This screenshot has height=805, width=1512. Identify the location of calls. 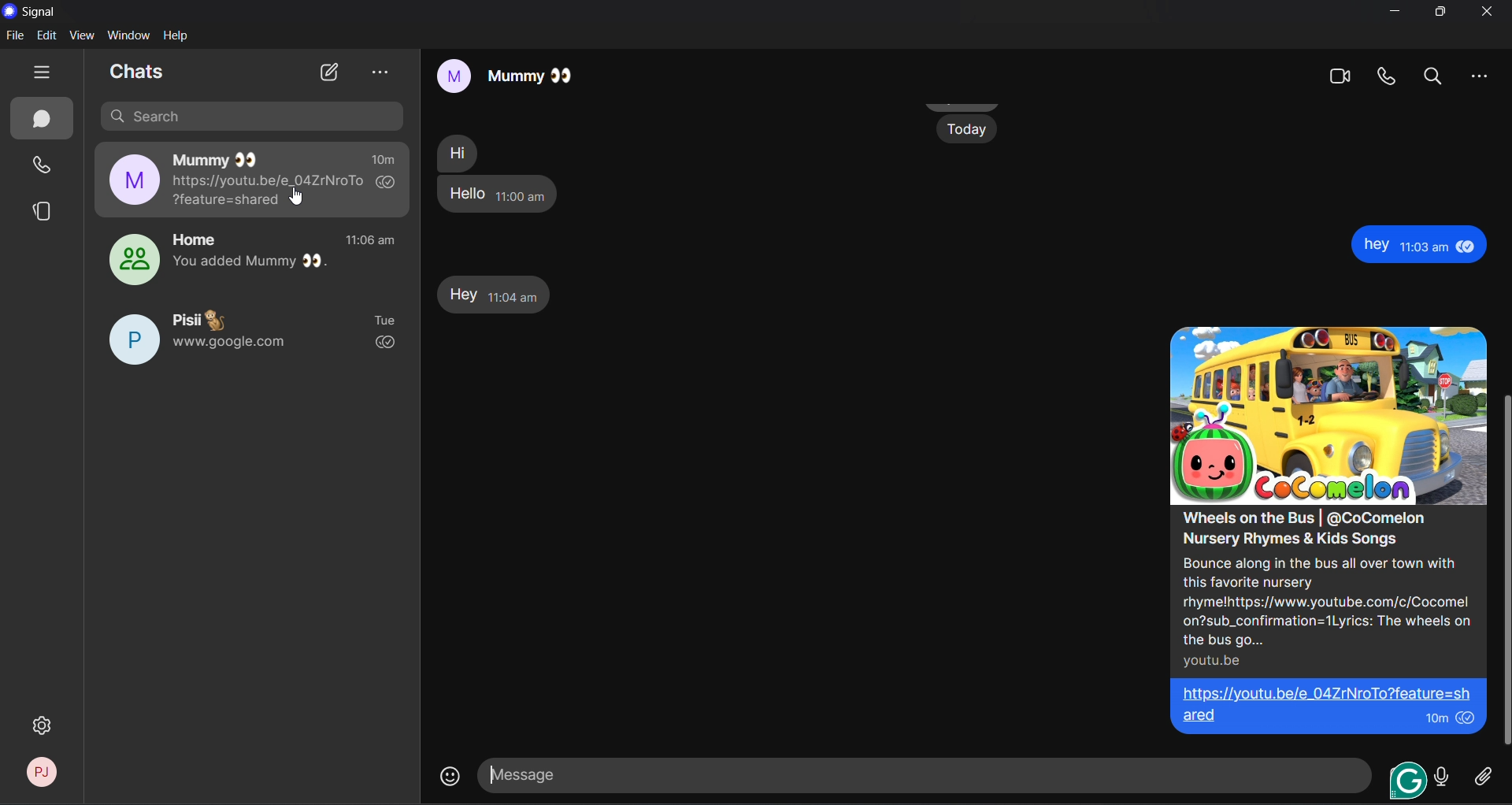
(43, 166).